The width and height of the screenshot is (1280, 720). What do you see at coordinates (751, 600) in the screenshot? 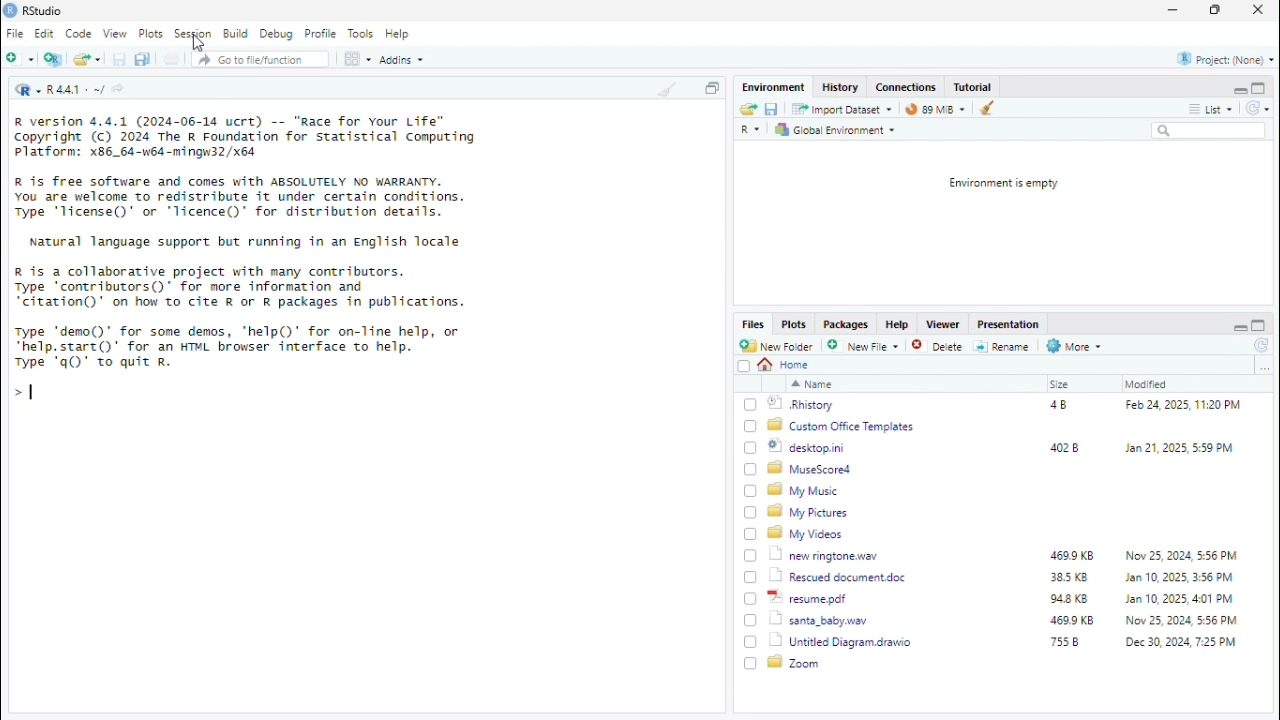
I see `Checkbox` at bounding box center [751, 600].